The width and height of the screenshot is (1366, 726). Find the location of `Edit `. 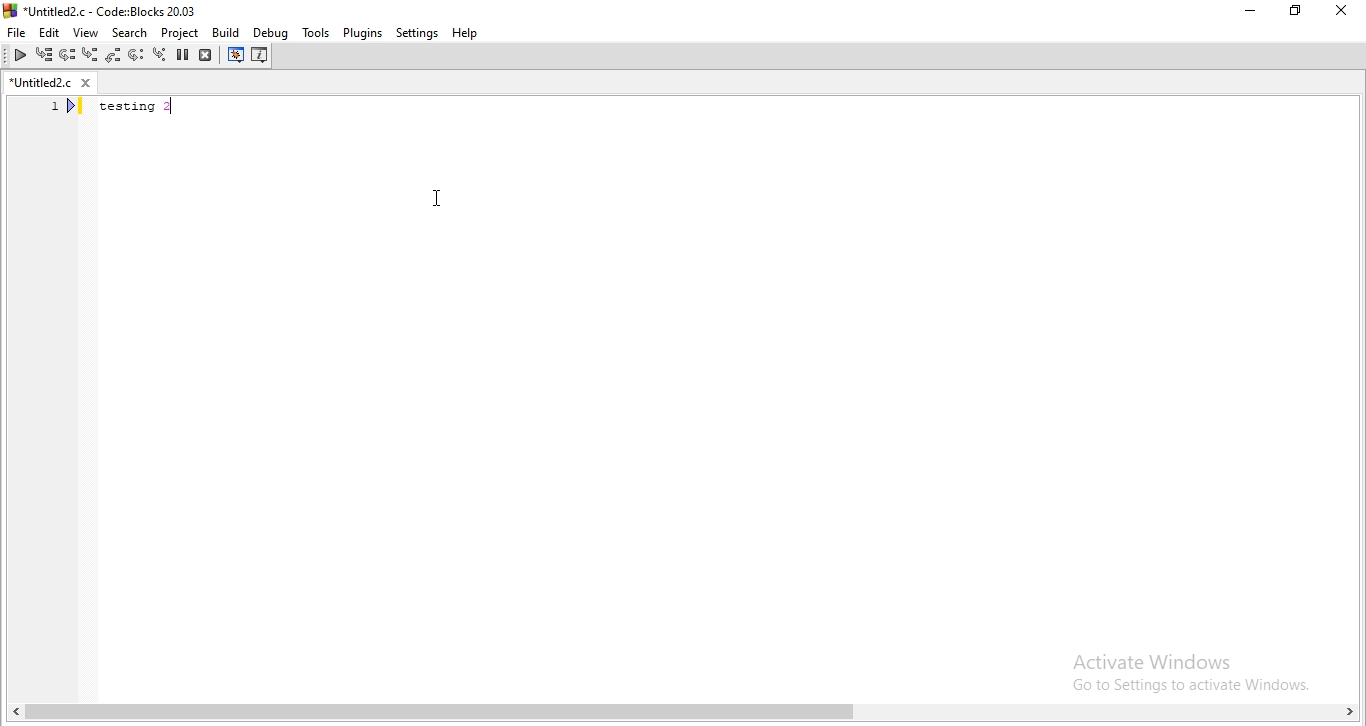

Edit  is located at coordinates (46, 33).